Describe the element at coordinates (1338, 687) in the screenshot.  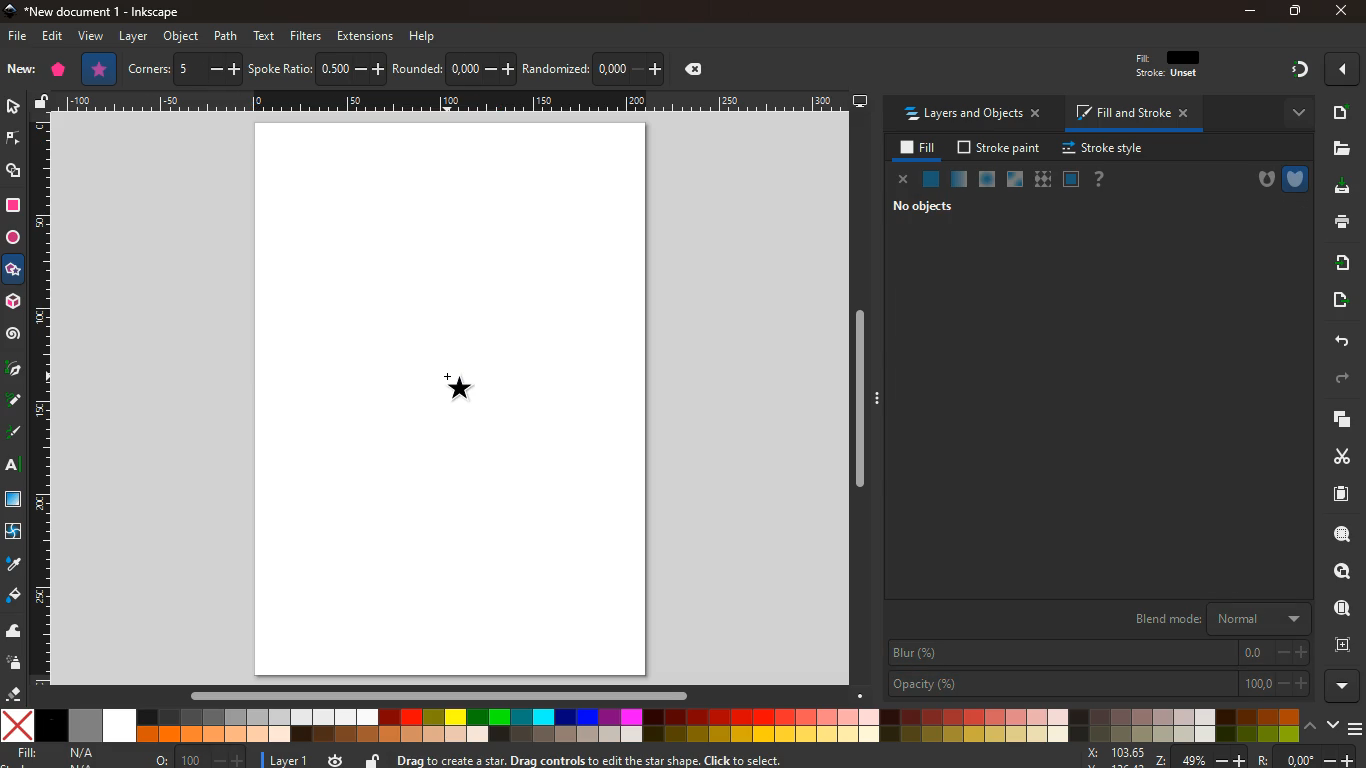
I see `more` at that location.